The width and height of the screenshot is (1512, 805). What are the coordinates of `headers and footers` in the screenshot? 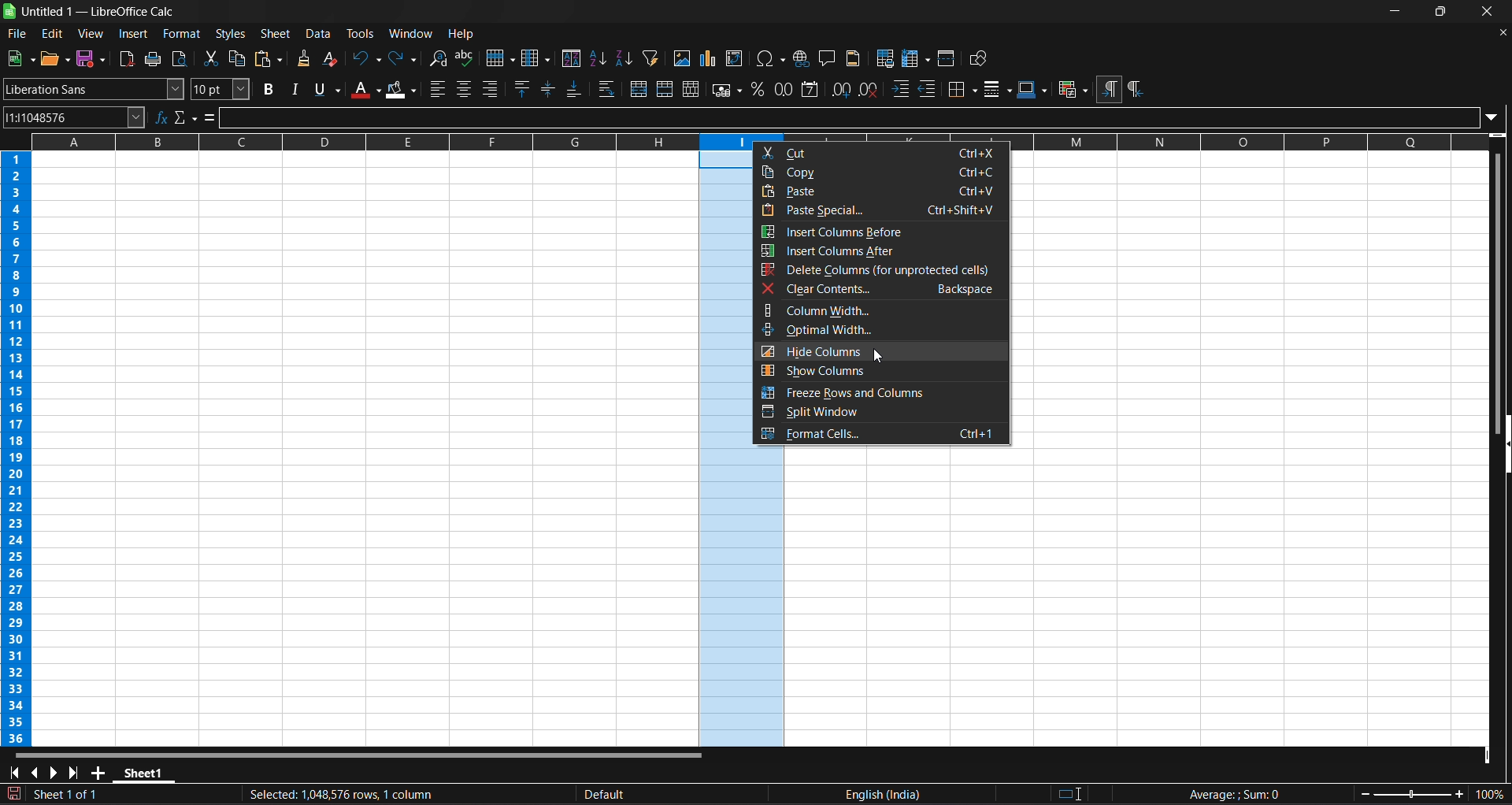 It's located at (854, 58).